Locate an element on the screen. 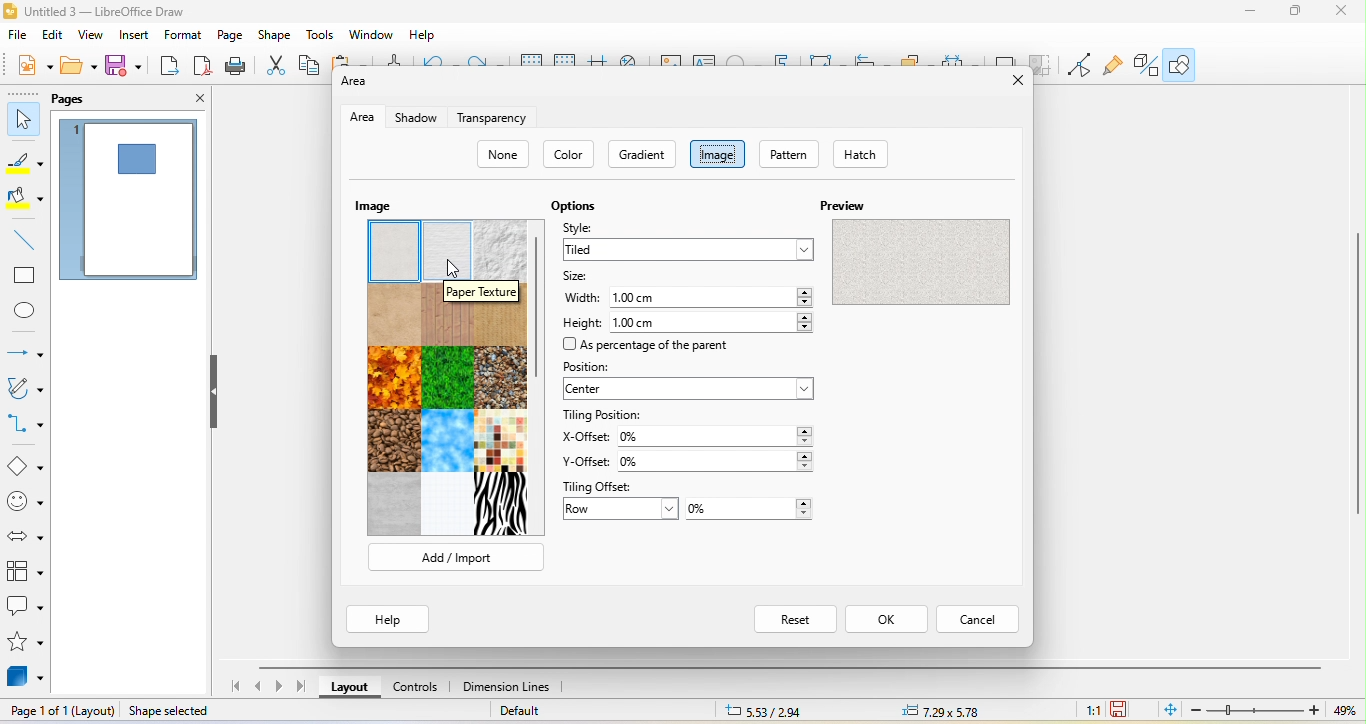 The height and width of the screenshot is (724, 1366). maximize is located at coordinates (1296, 13).